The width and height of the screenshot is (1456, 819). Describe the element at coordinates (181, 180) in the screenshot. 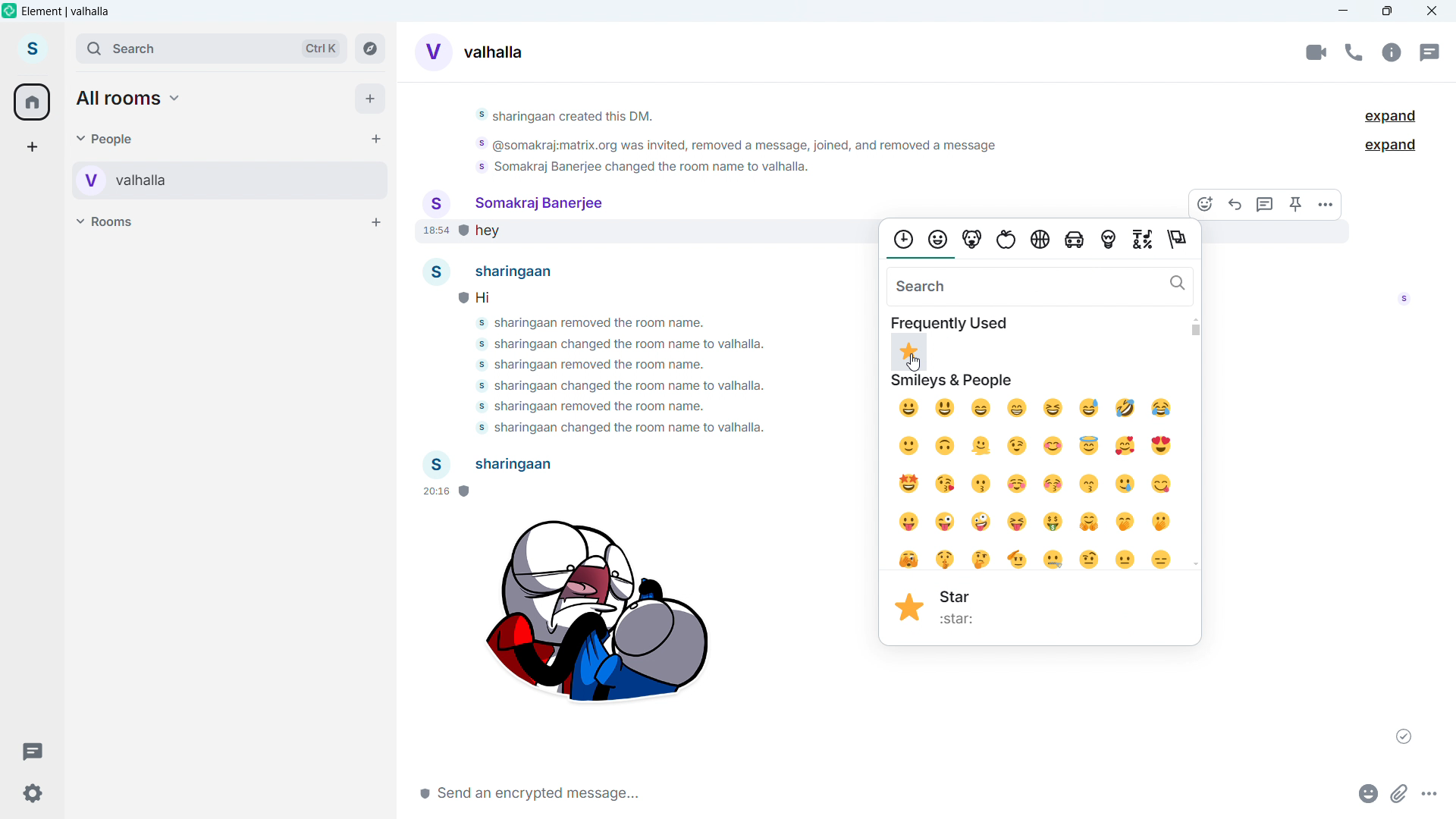

I see `Personal room ` at that location.